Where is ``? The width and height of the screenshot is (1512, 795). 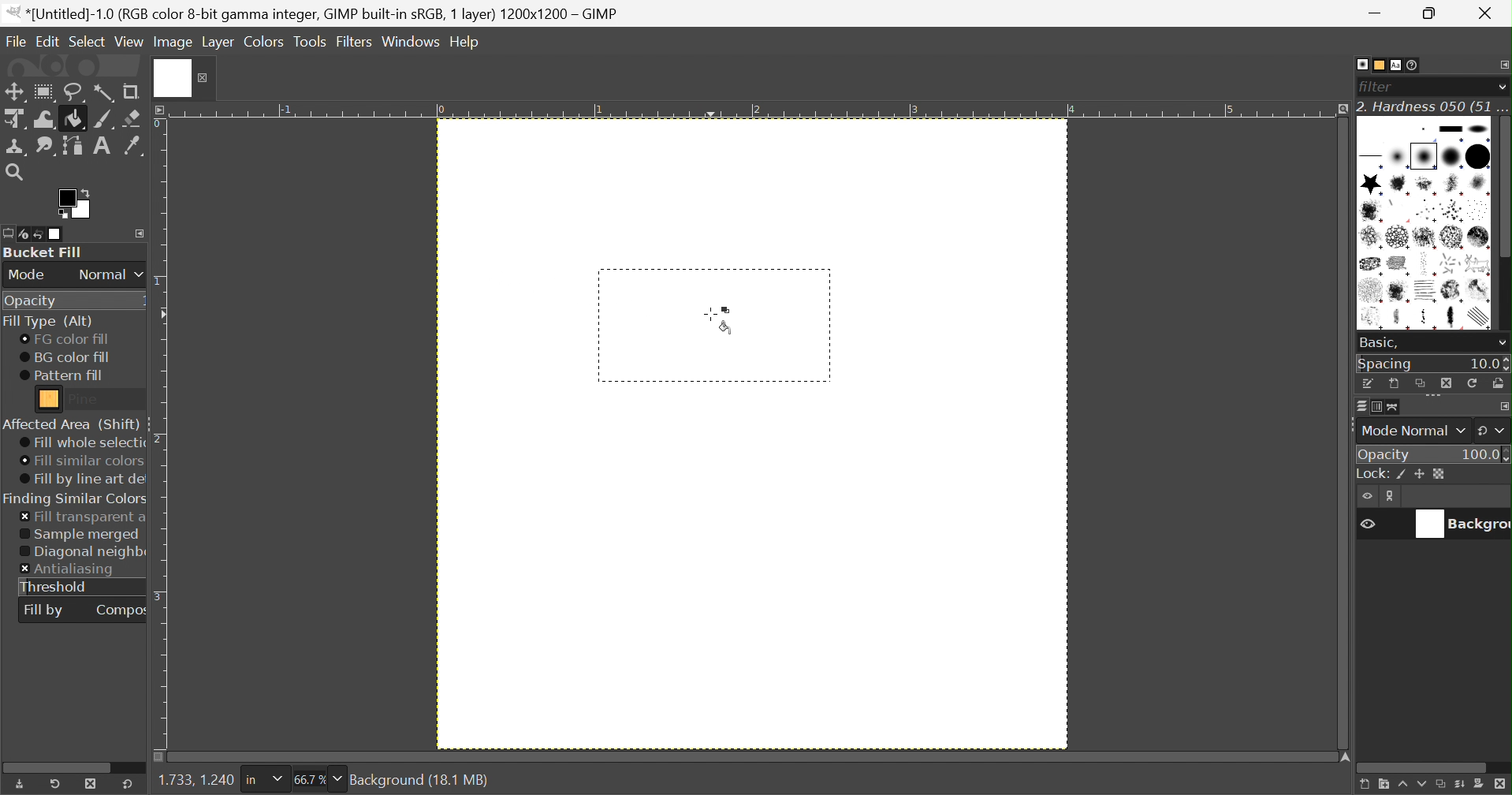  is located at coordinates (1371, 474).